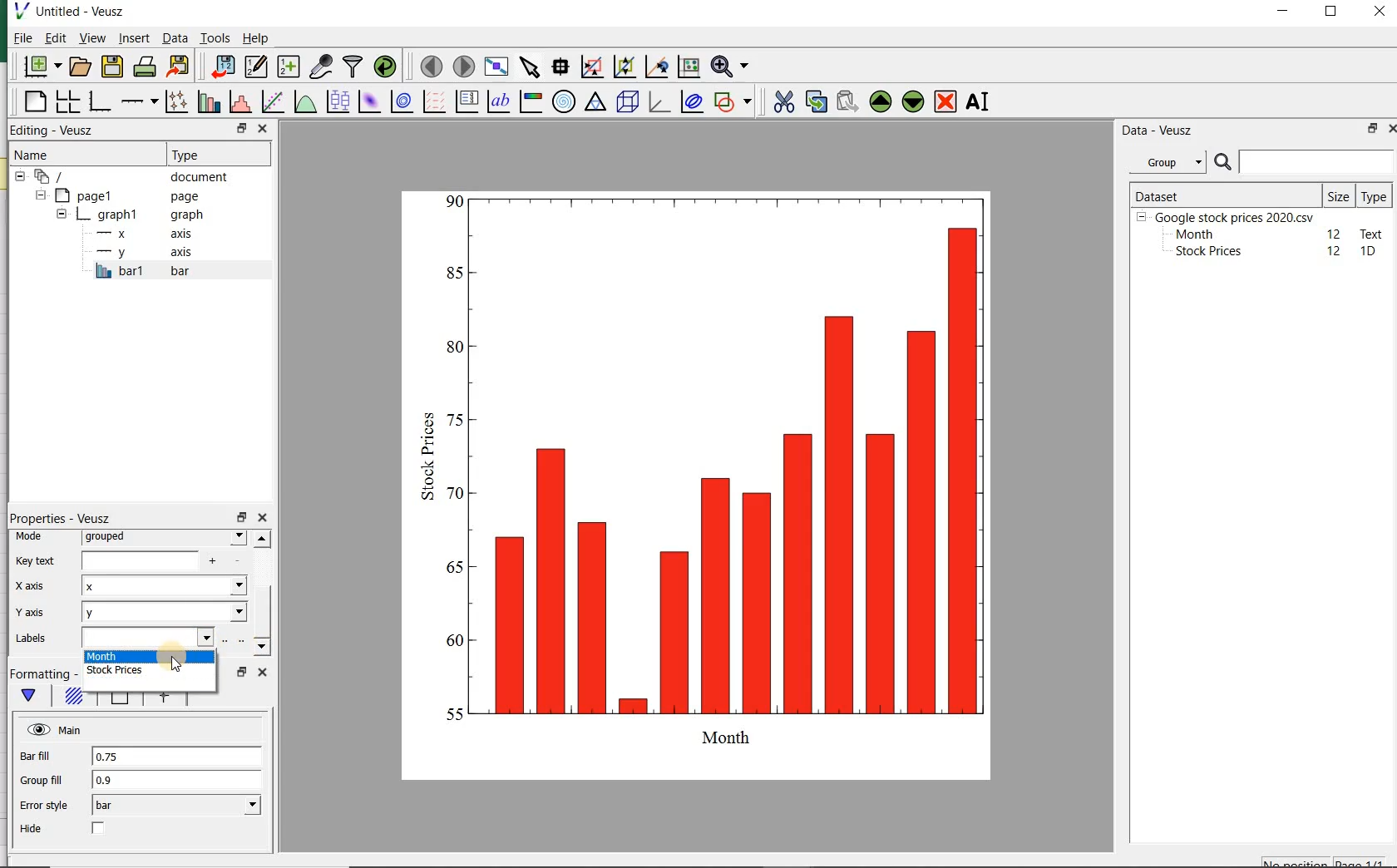 This screenshot has width=1397, height=868. Describe the element at coordinates (145, 68) in the screenshot. I see `print the document` at that location.